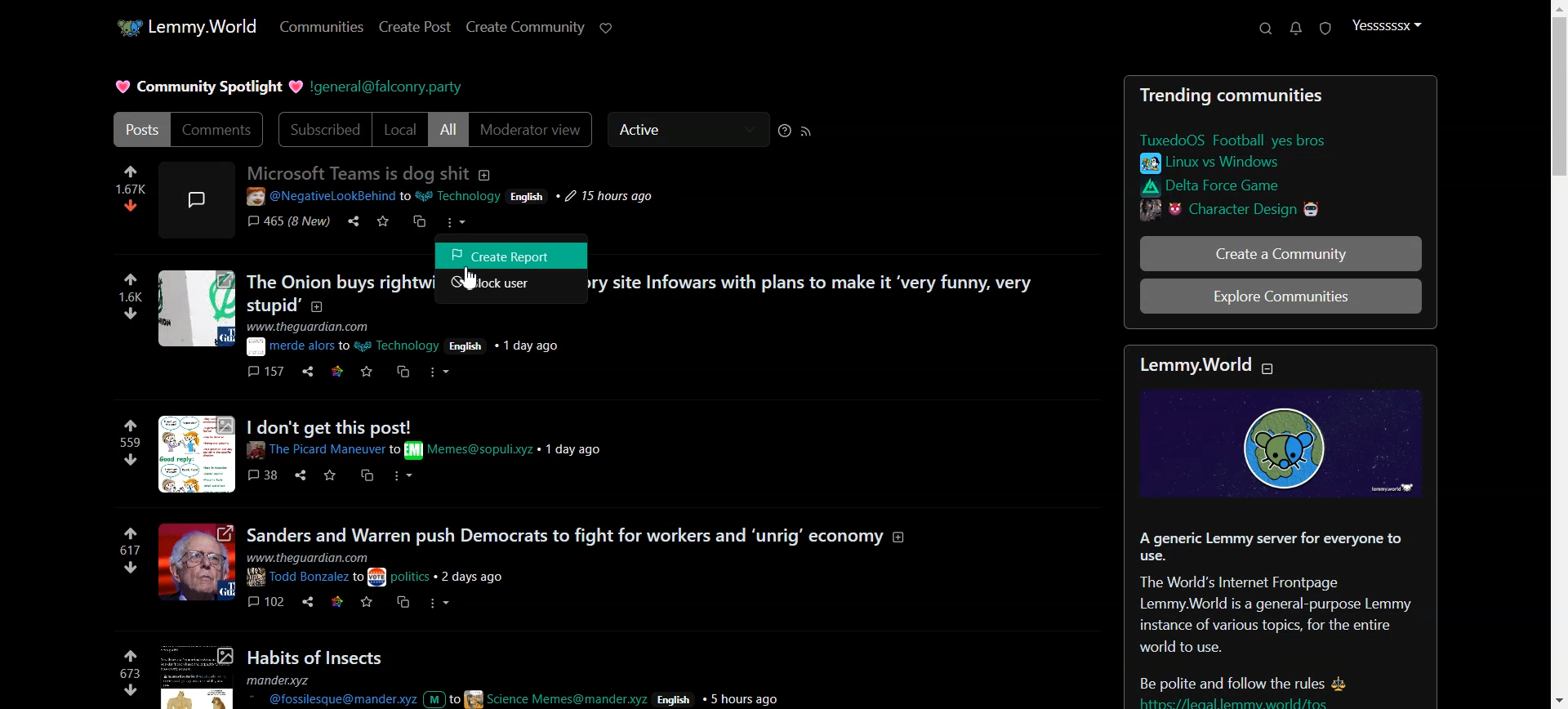 The image size is (1568, 709). I want to click on save, so click(331, 476).